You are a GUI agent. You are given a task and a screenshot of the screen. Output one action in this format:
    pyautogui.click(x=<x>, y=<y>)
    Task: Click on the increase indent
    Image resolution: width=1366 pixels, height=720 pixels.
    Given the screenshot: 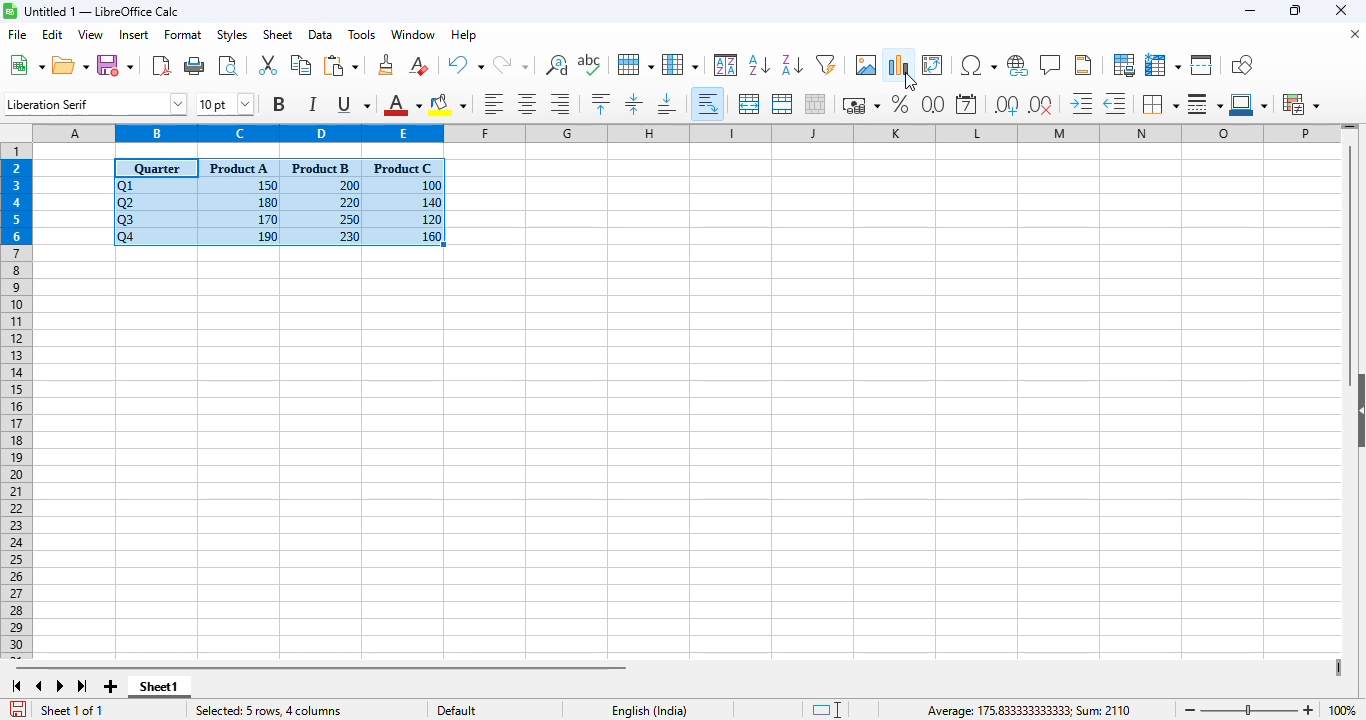 What is the action you would take?
    pyautogui.click(x=1082, y=103)
    